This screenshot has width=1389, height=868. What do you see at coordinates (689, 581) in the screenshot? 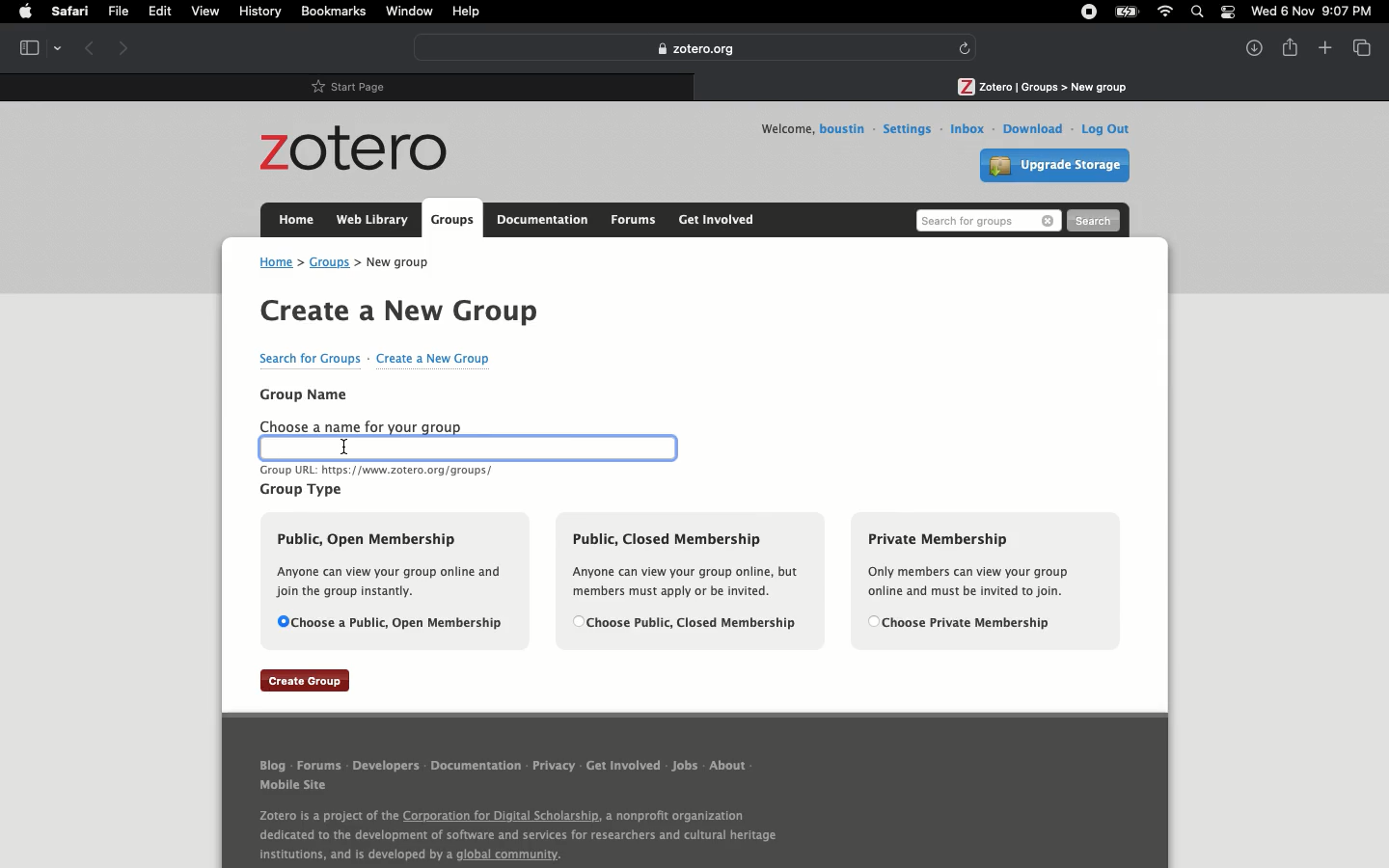
I see `Public, closed membership` at bounding box center [689, 581].